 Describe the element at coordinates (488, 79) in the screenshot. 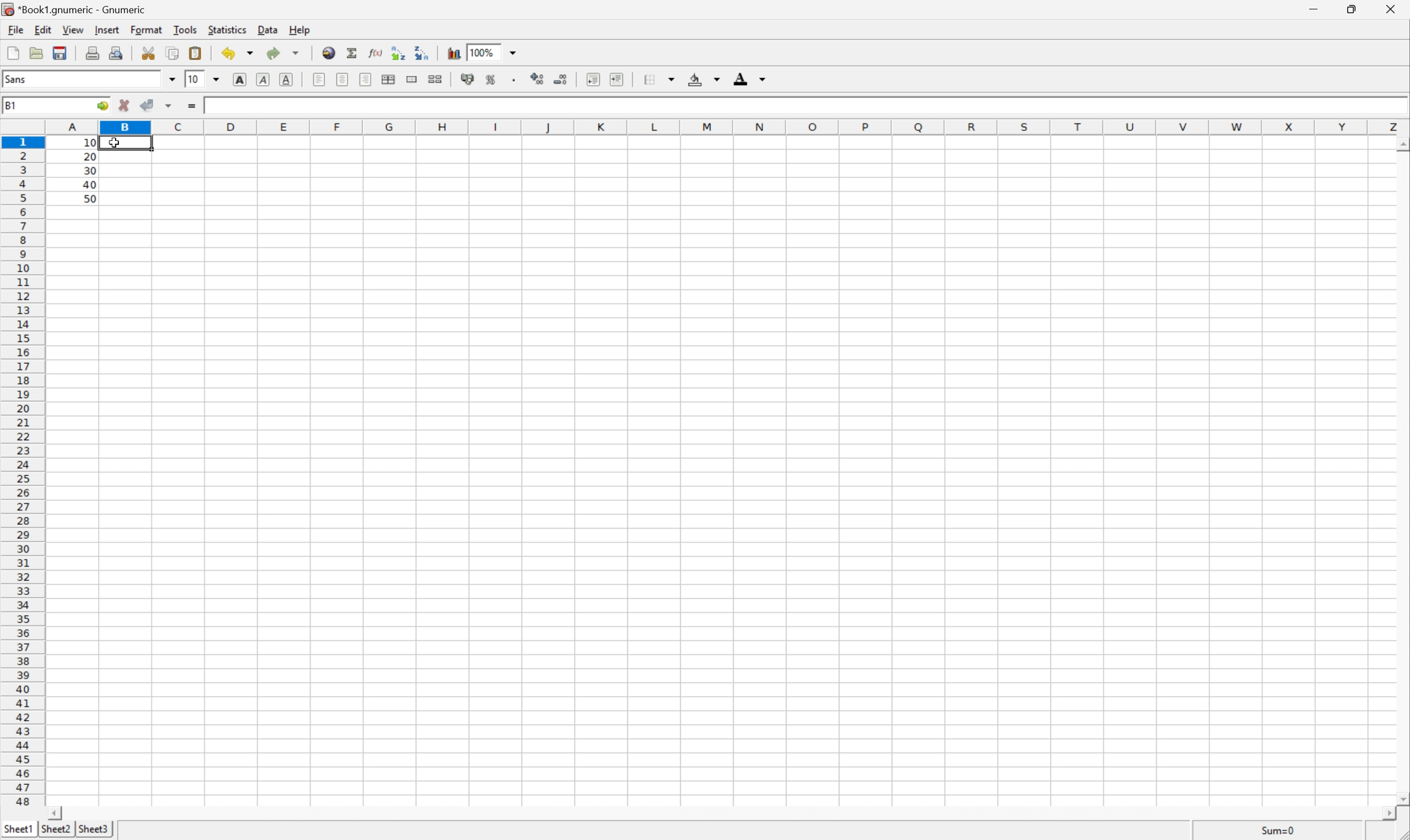

I see `Format the selection as percentage` at that location.